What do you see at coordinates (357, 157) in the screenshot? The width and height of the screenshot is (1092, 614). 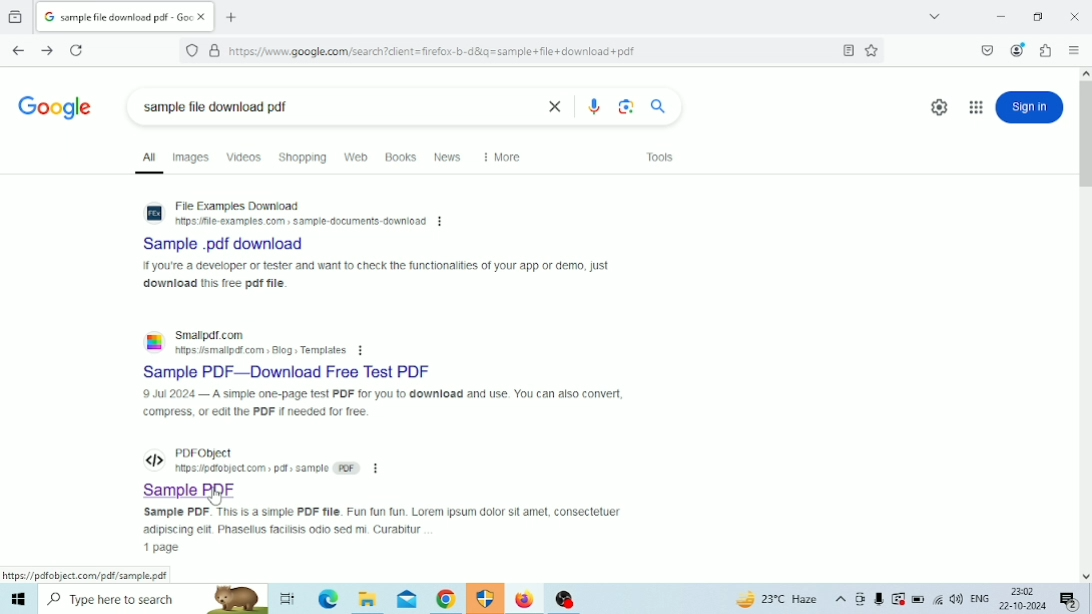 I see `Web` at bounding box center [357, 157].